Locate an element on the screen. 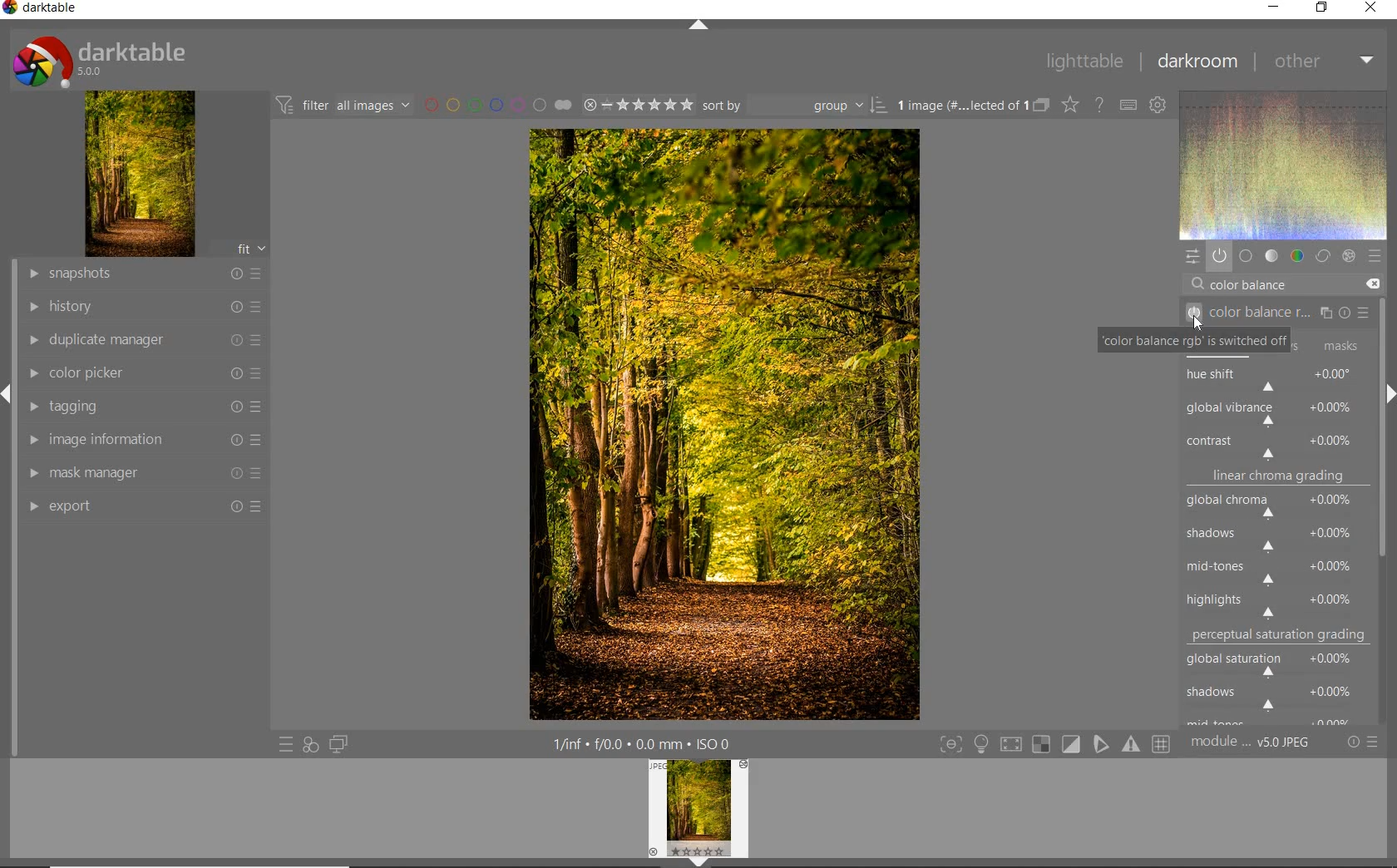  COLOR BALANCE RGB is located at coordinates (1281, 313).